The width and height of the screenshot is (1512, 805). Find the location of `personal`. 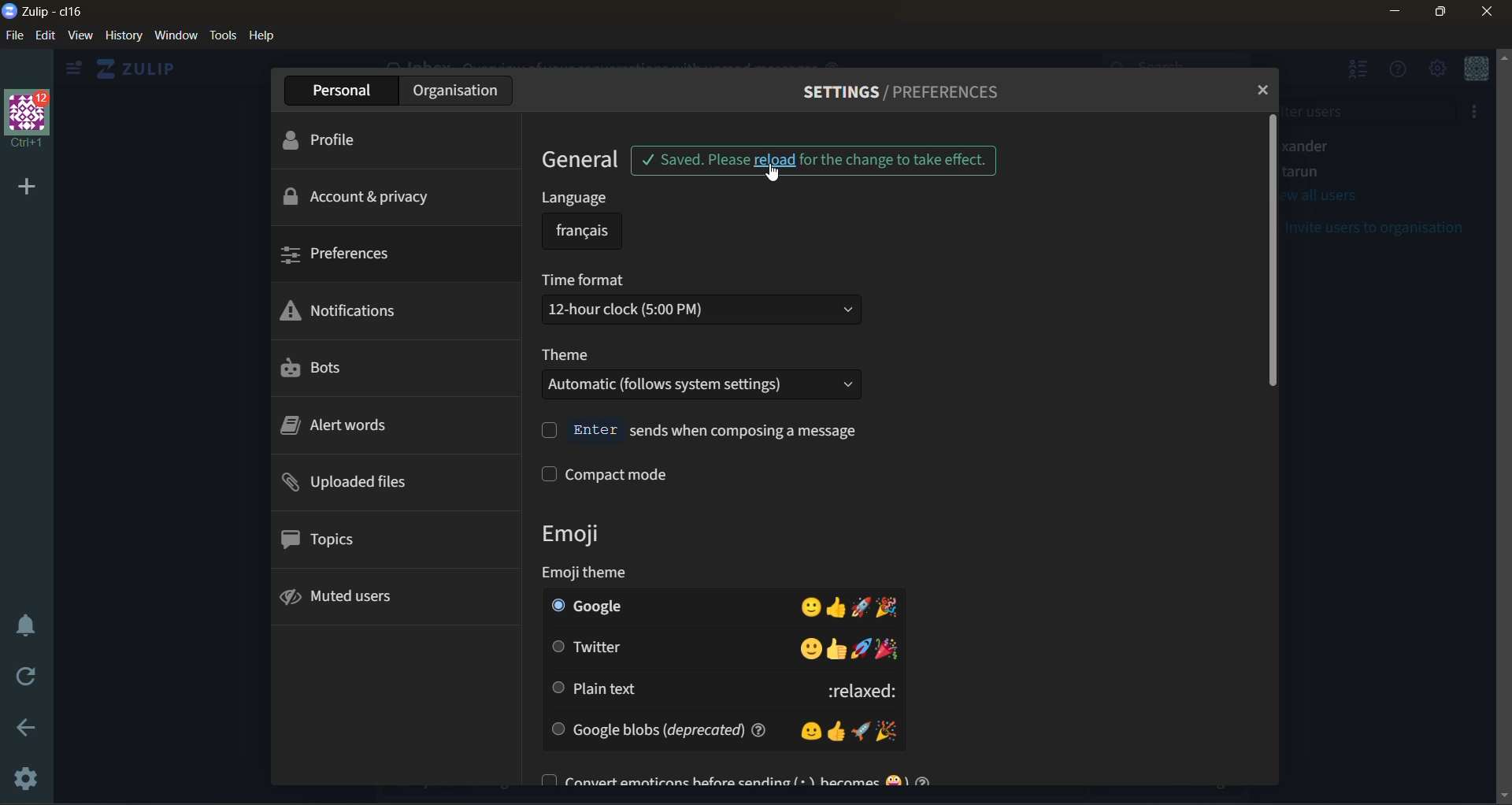

personal is located at coordinates (352, 90).